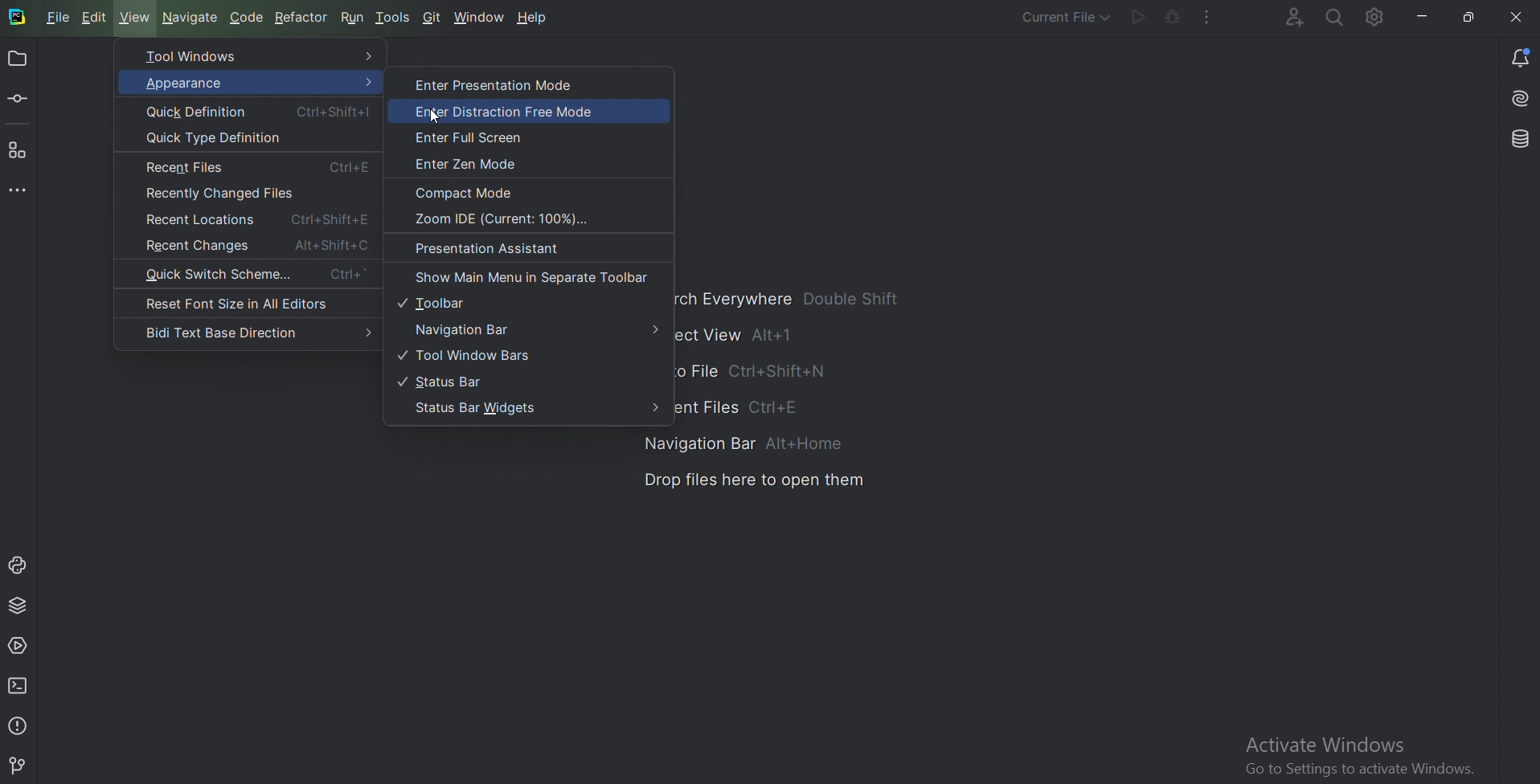 This screenshot has width=1540, height=784. What do you see at coordinates (481, 16) in the screenshot?
I see `Window` at bounding box center [481, 16].